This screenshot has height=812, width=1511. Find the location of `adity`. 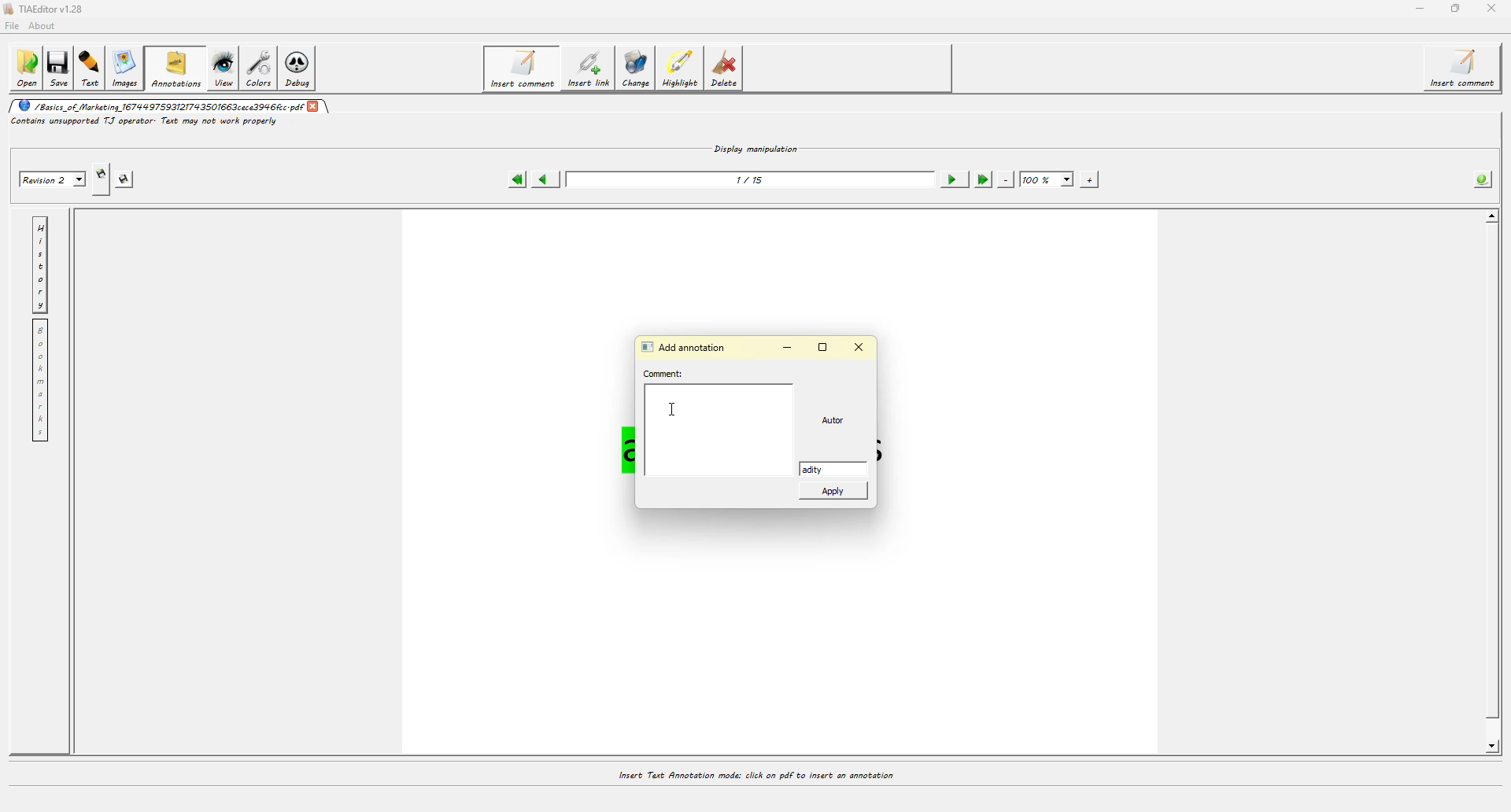

adity is located at coordinates (824, 469).